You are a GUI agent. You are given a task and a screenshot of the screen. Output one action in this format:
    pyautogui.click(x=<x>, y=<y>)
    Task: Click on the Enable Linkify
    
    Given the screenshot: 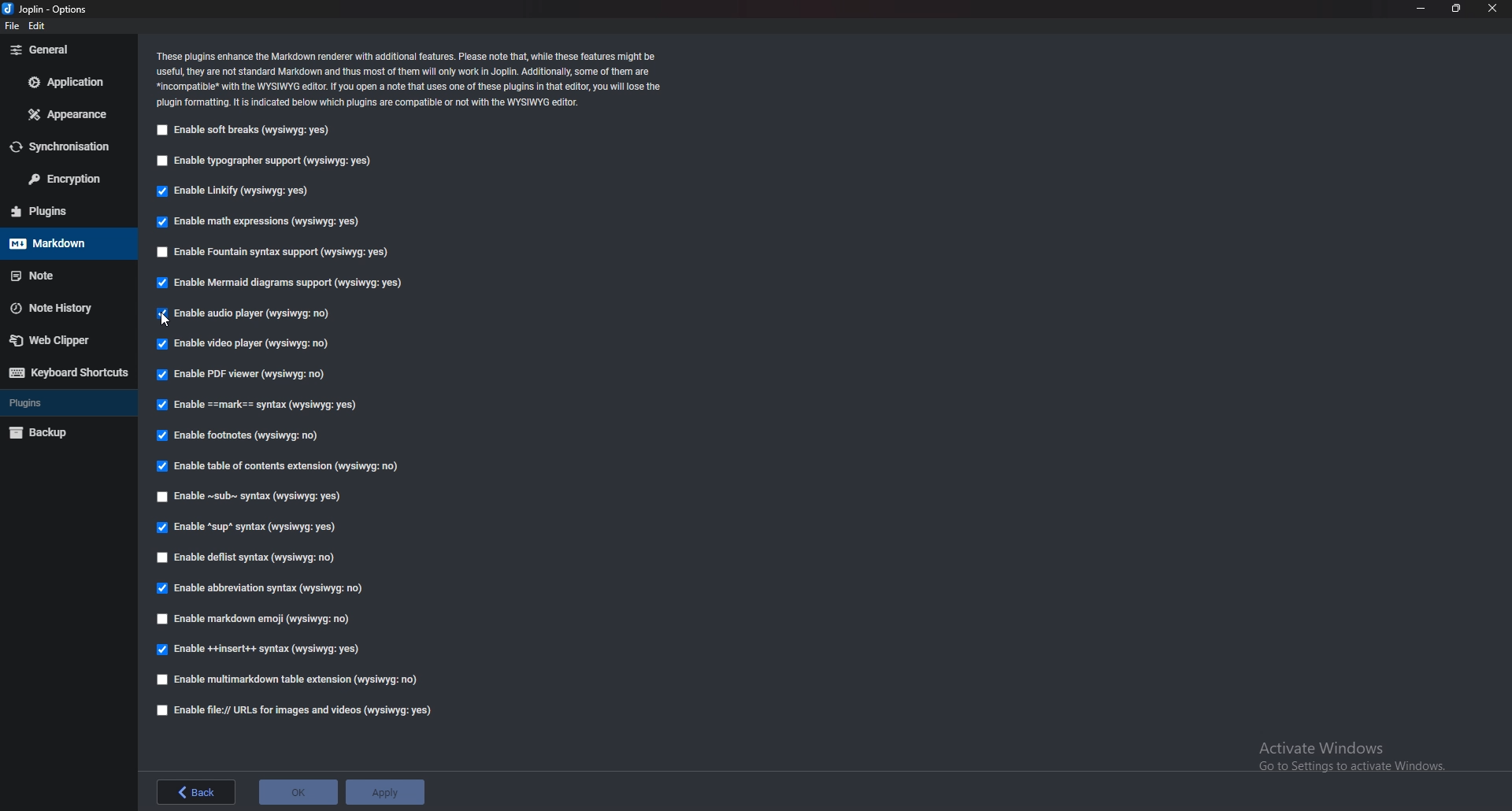 What is the action you would take?
    pyautogui.click(x=231, y=192)
    